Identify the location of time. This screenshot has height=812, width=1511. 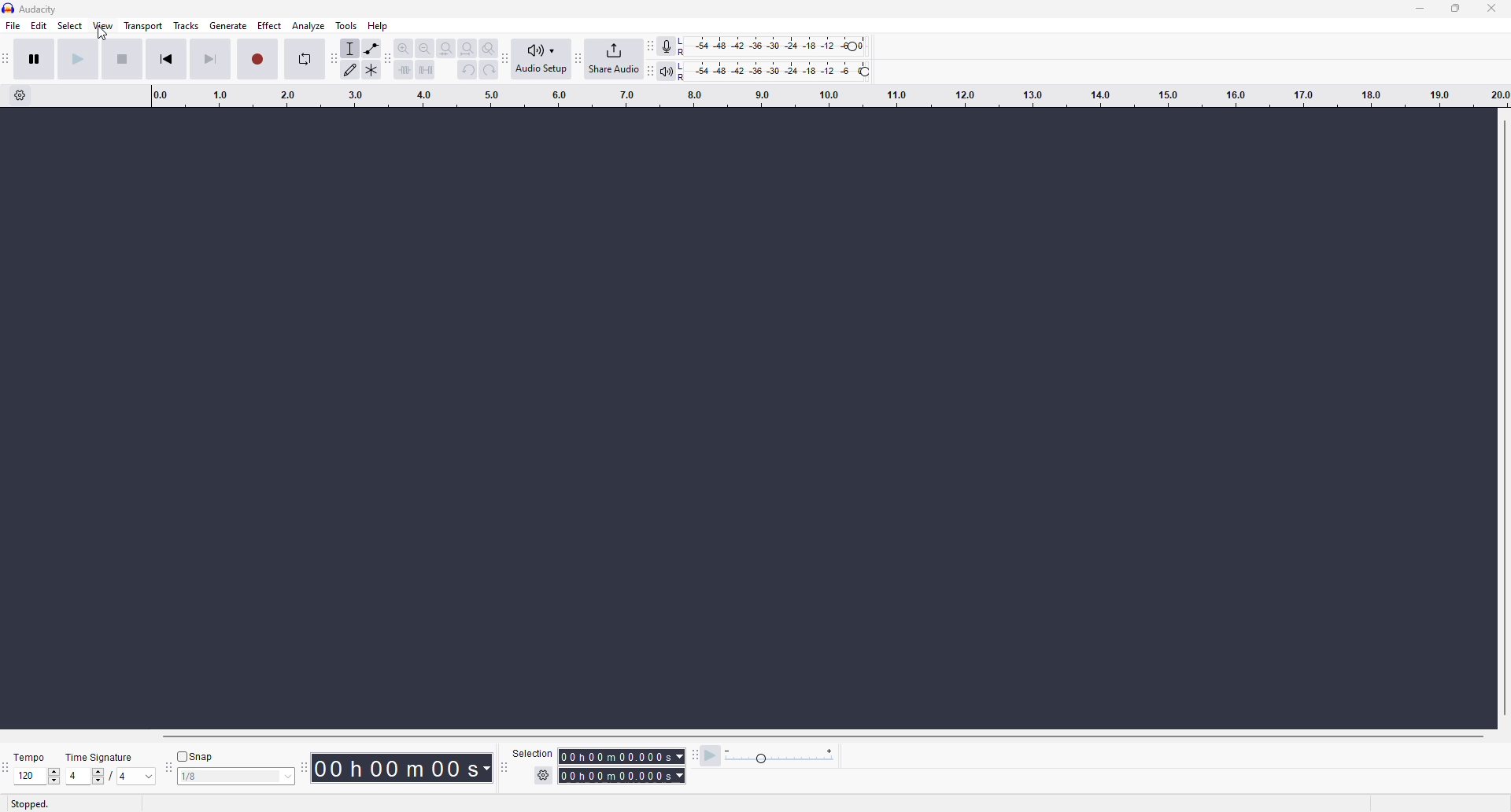
(623, 767).